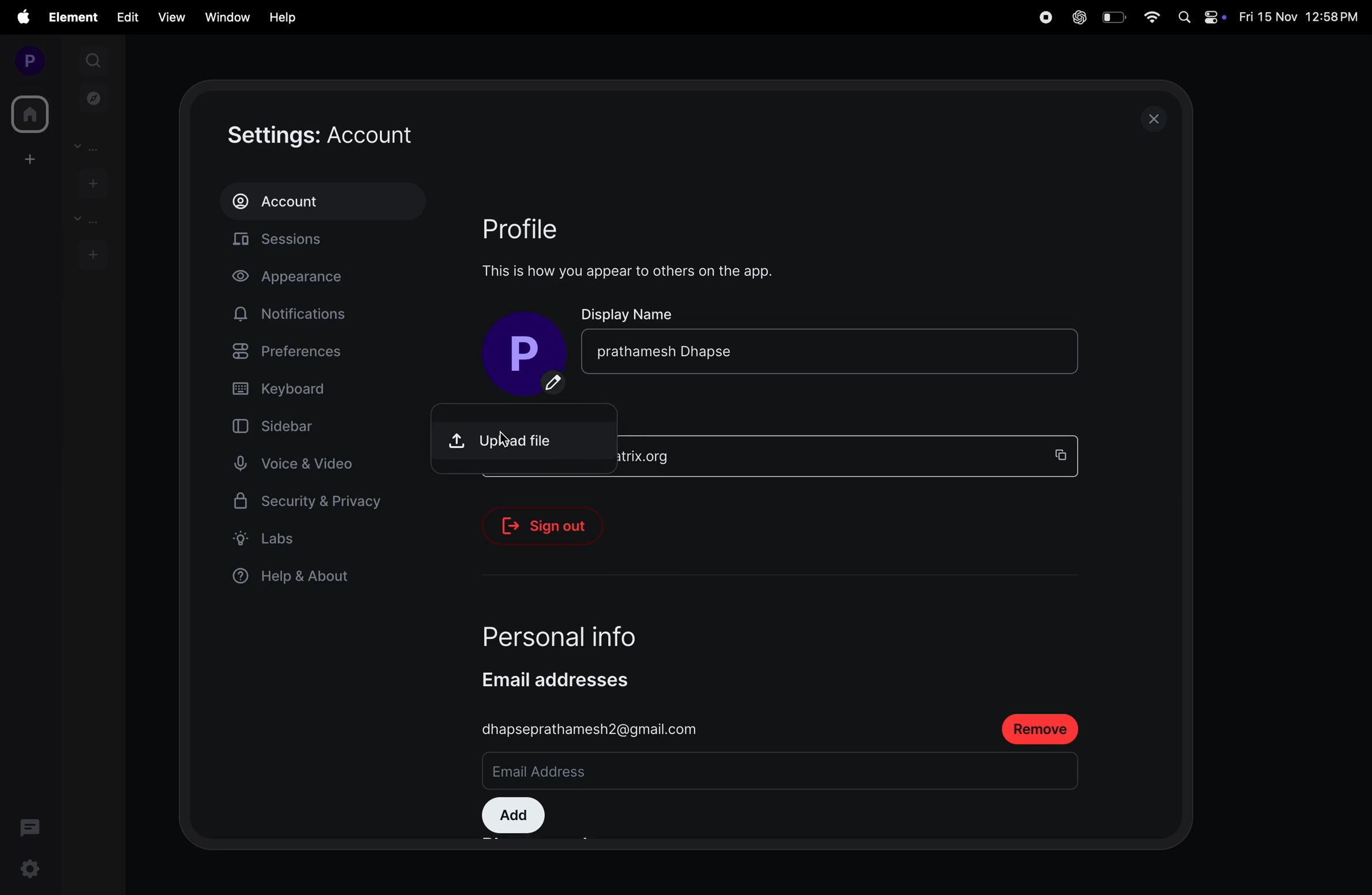 The width and height of the screenshot is (1372, 895). Describe the element at coordinates (322, 201) in the screenshot. I see `account` at that location.